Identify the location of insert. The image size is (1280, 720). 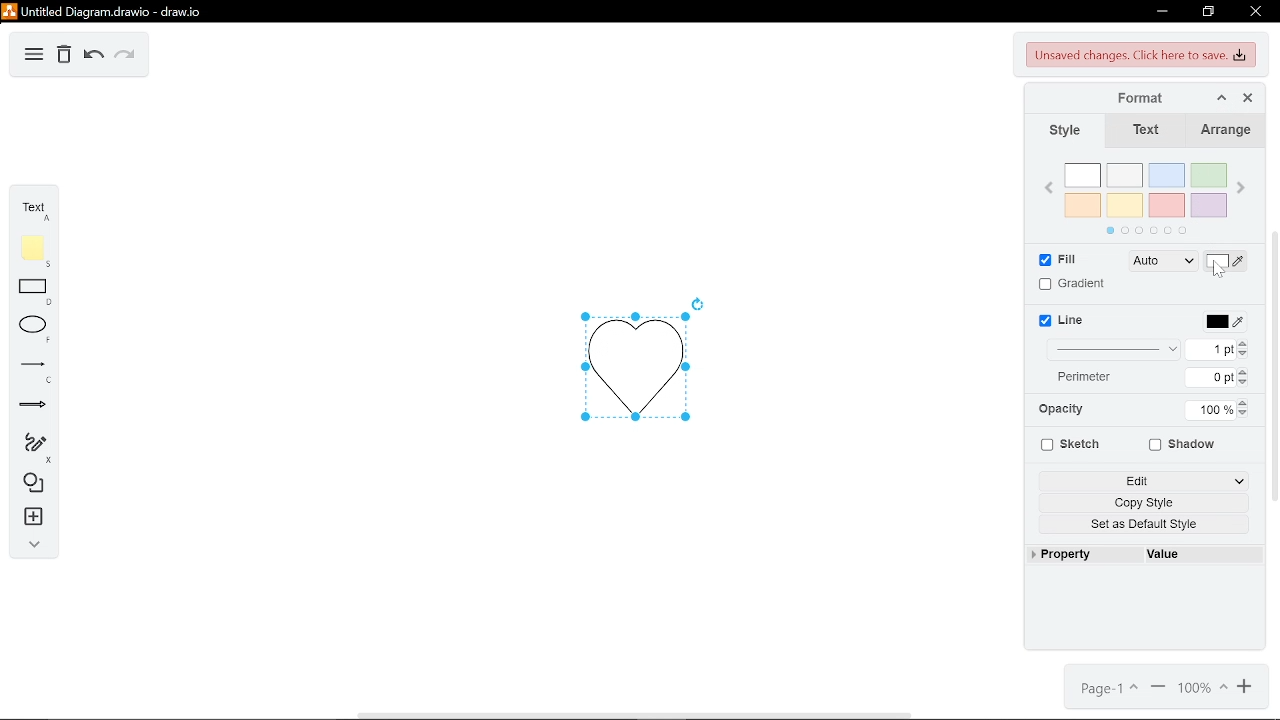
(31, 516).